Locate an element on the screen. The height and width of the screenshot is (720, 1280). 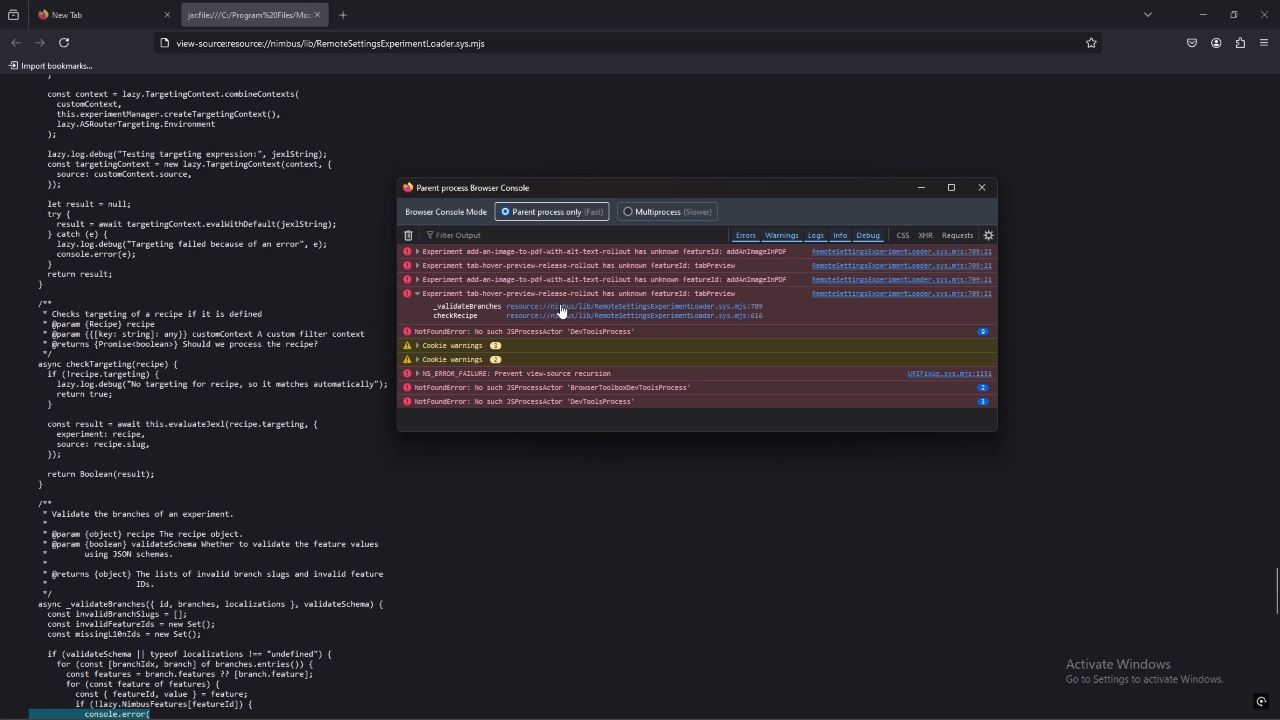
log is located at coordinates (587, 373).